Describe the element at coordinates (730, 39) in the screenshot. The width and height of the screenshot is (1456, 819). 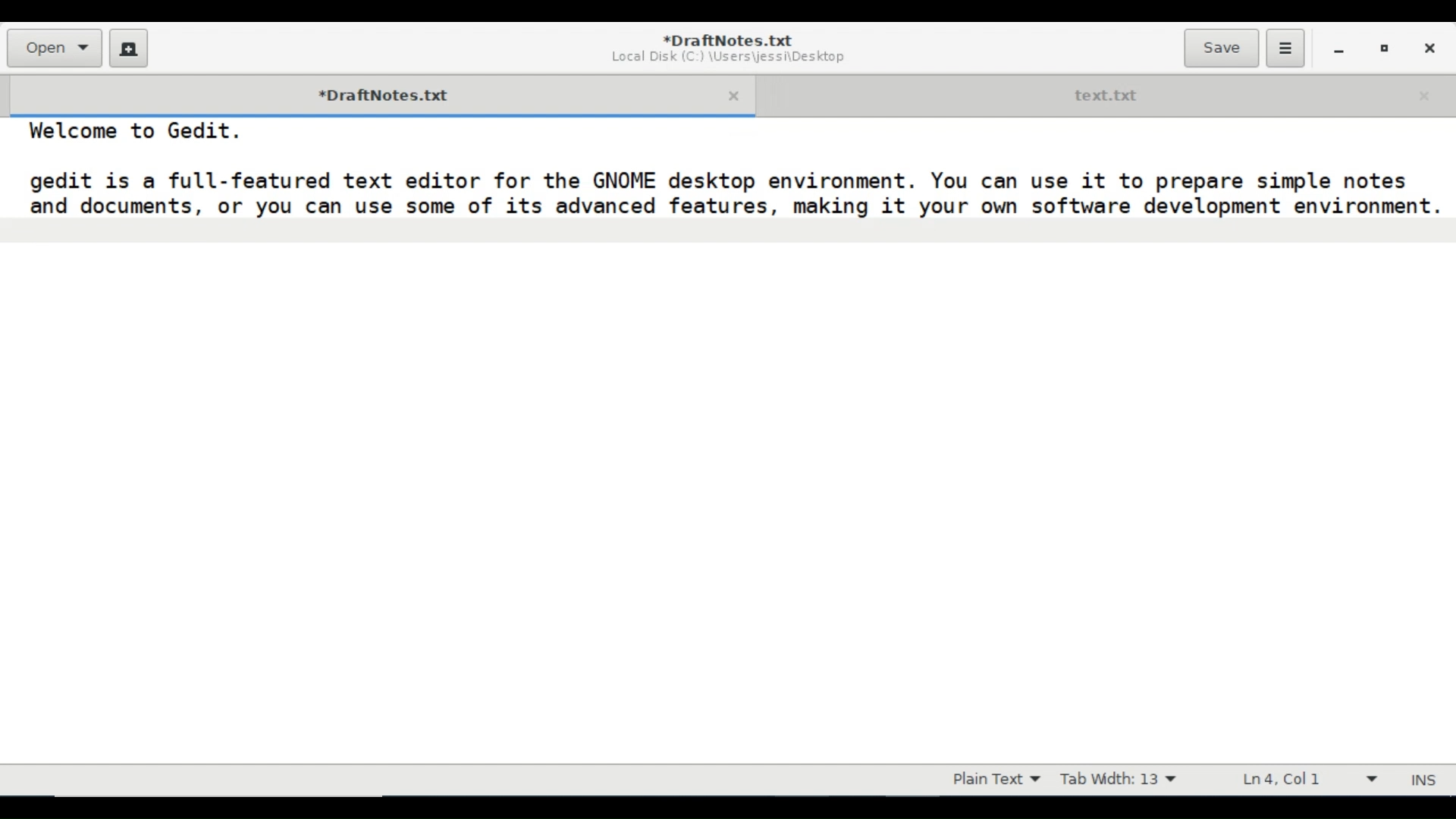
I see `Document name` at that location.